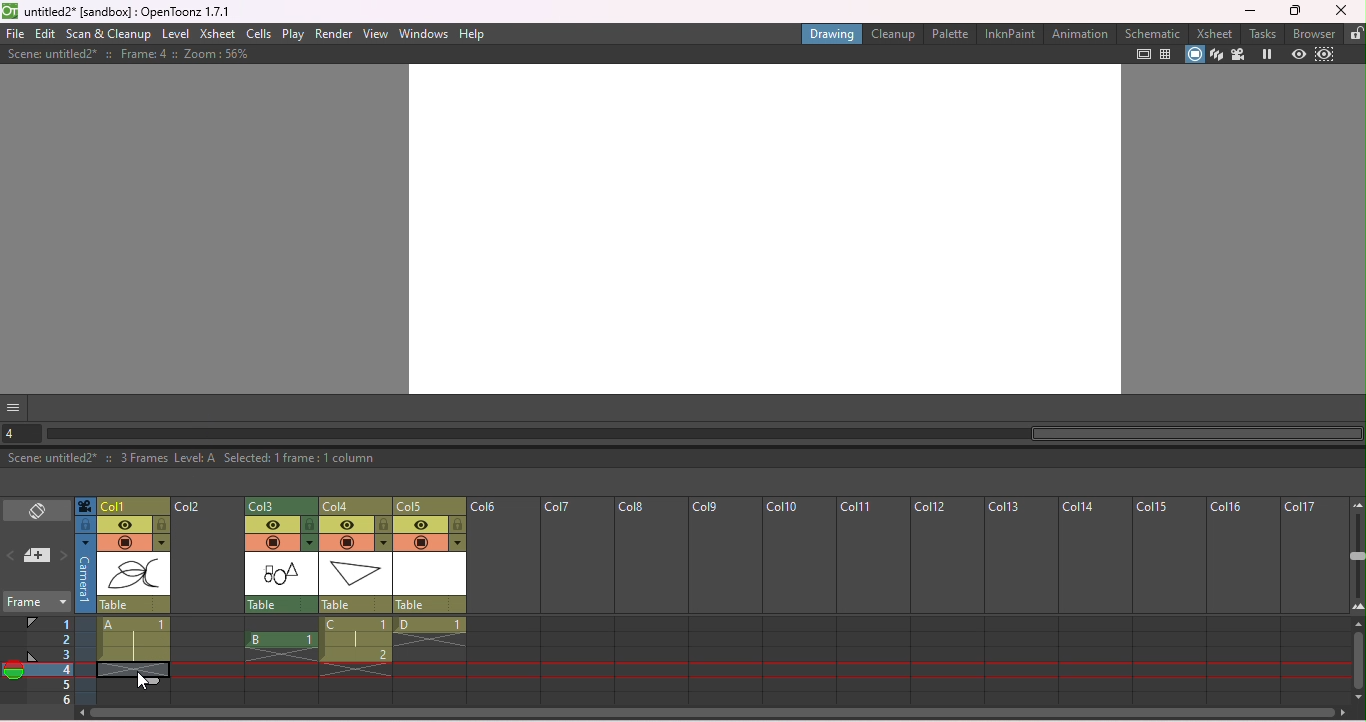 This screenshot has height=722, width=1366. What do you see at coordinates (503, 602) in the screenshot?
I see `column 6` at bounding box center [503, 602].